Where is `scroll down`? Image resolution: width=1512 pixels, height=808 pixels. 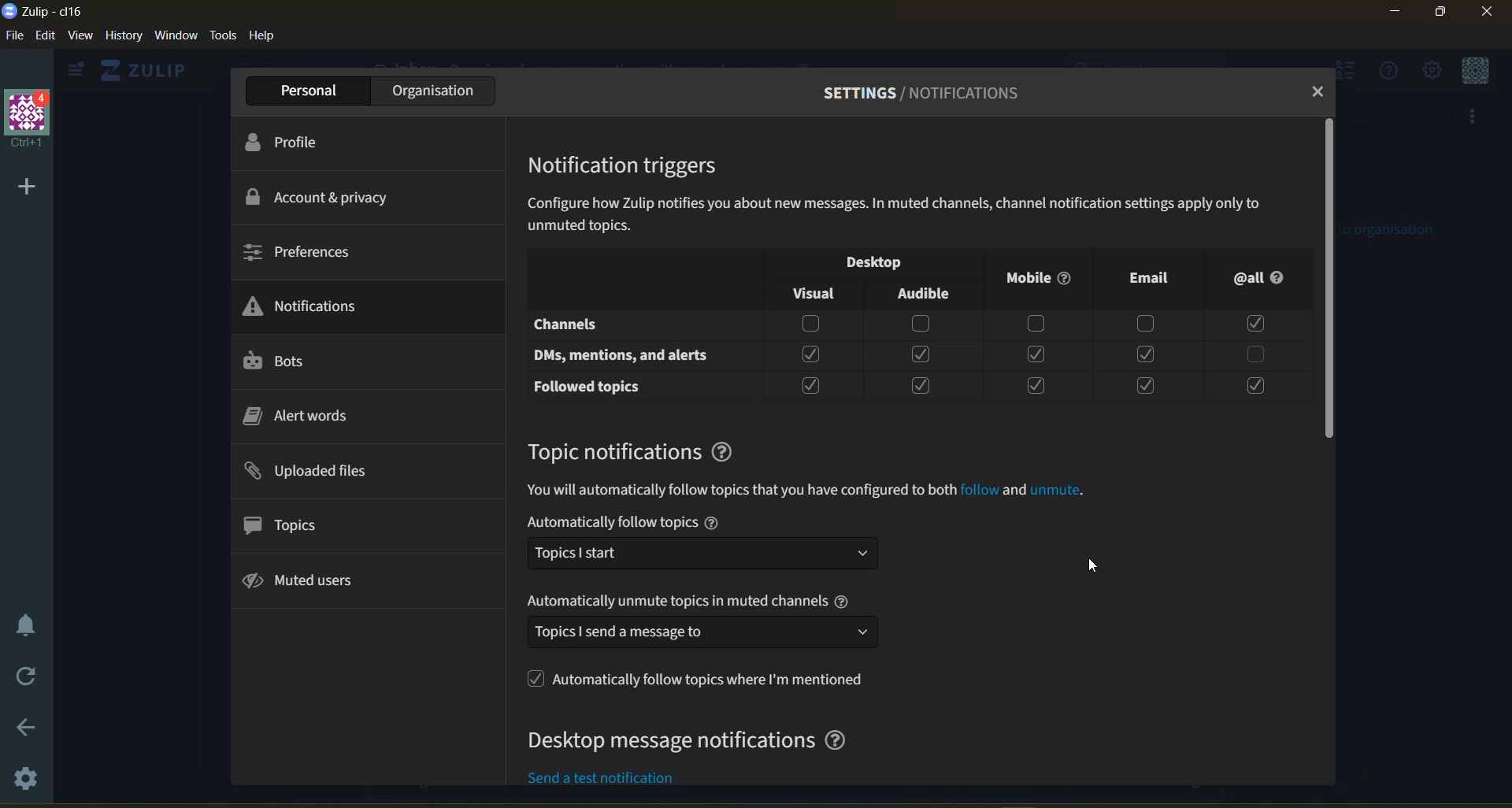 scroll down is located at coordinates (1330, 293).